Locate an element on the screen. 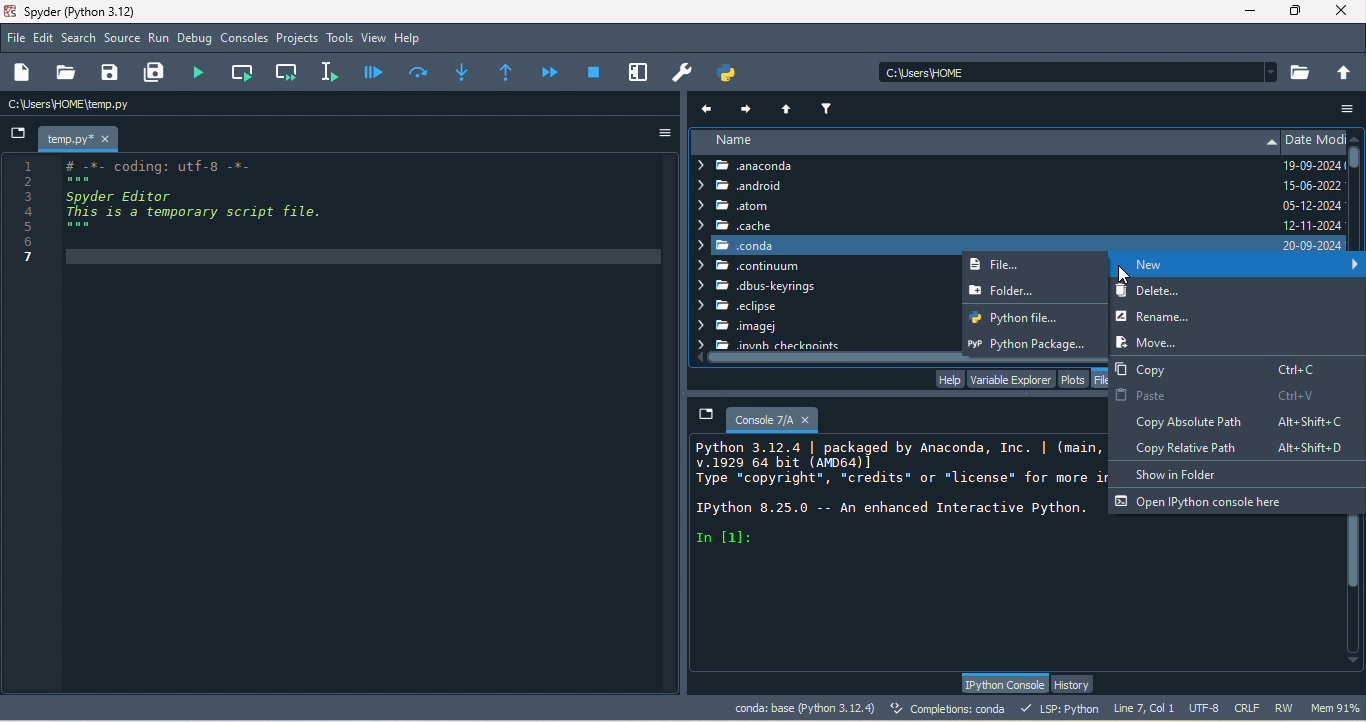 The width and height of the screenshot is (1366, 722). show in folder is located at coordinates (1187, 473).